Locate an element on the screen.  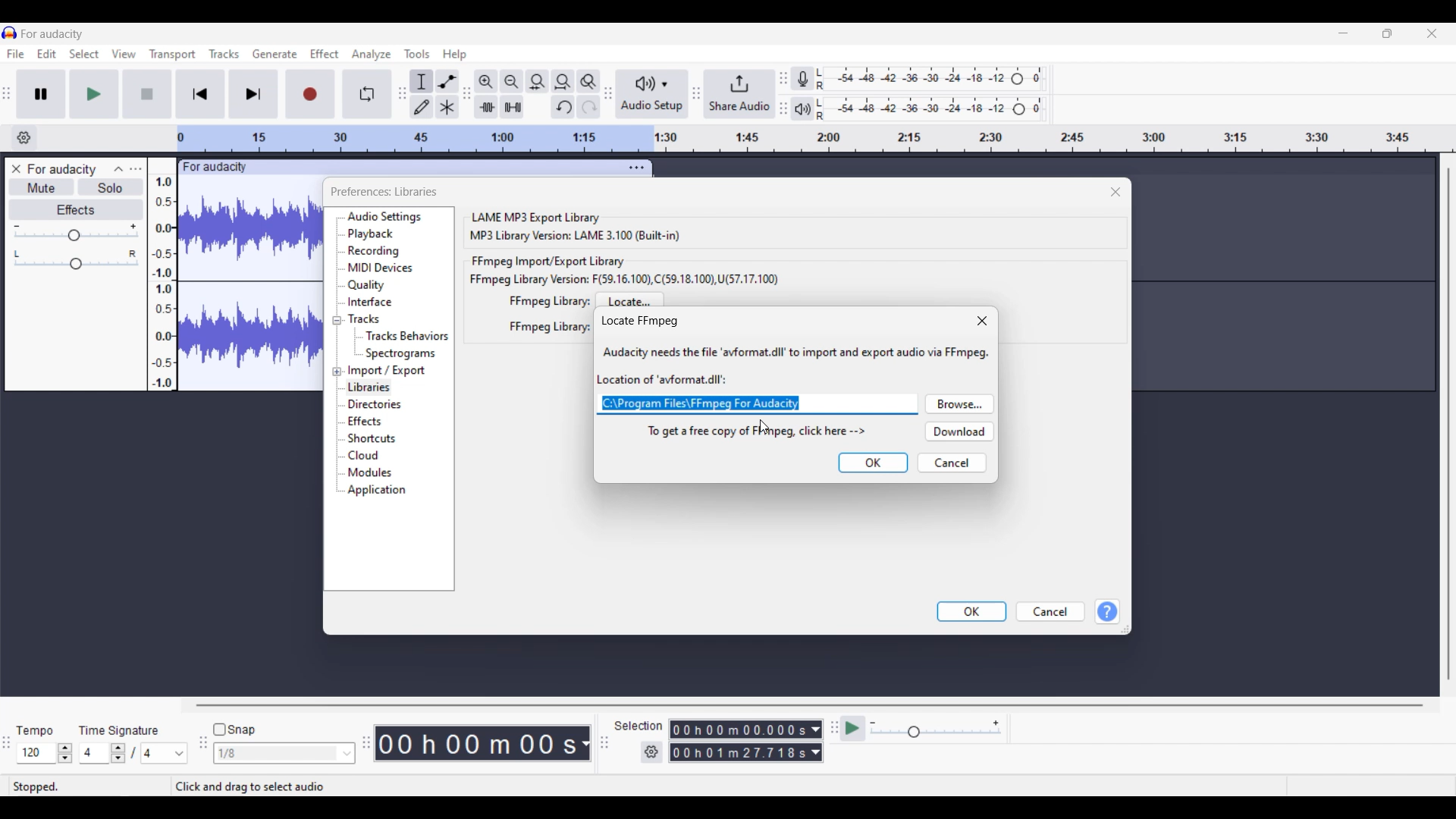
Select menu is located at coordinates (84, 53).